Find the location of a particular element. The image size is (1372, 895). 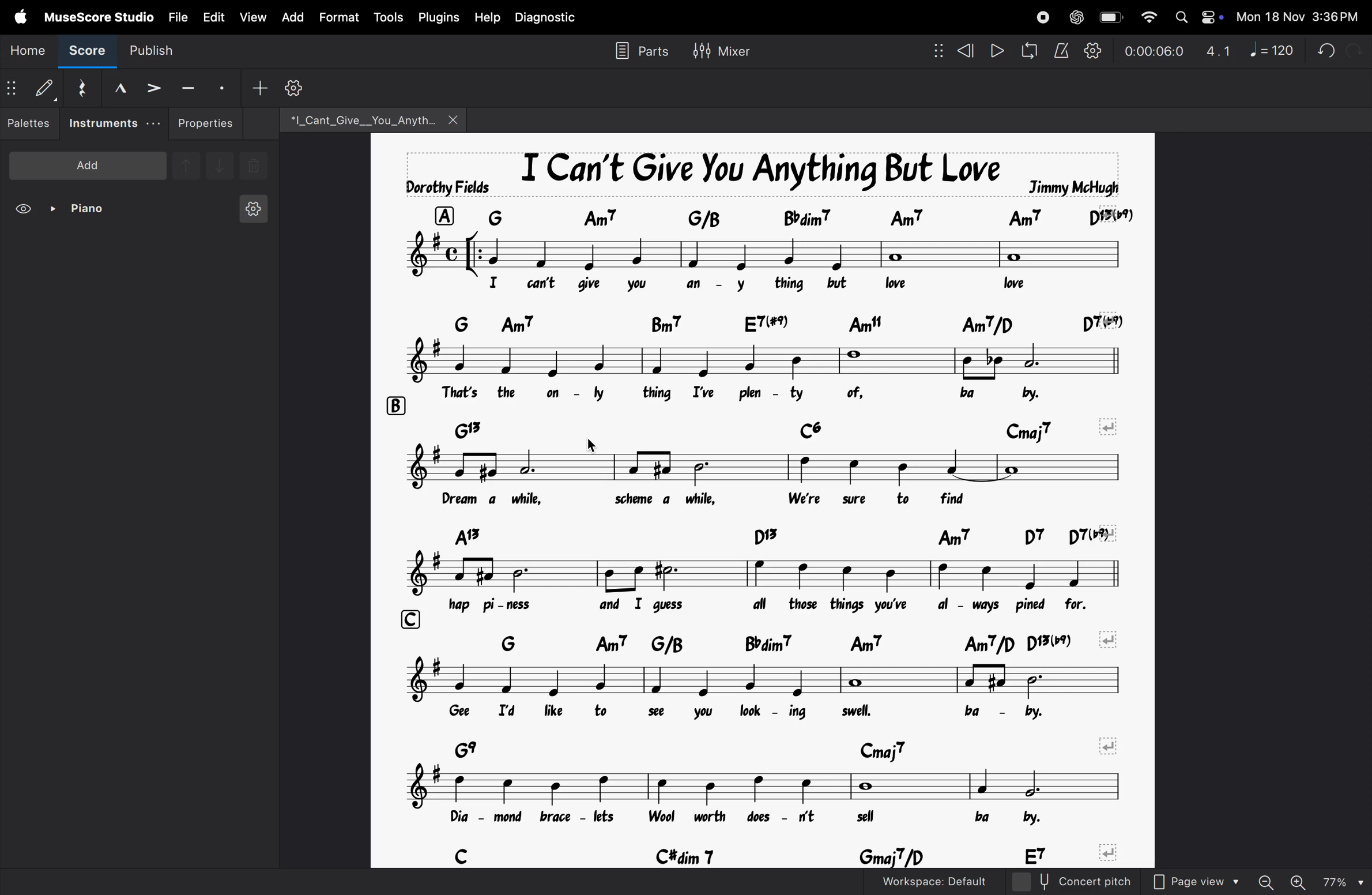

add is located at coordinates (293, 18).